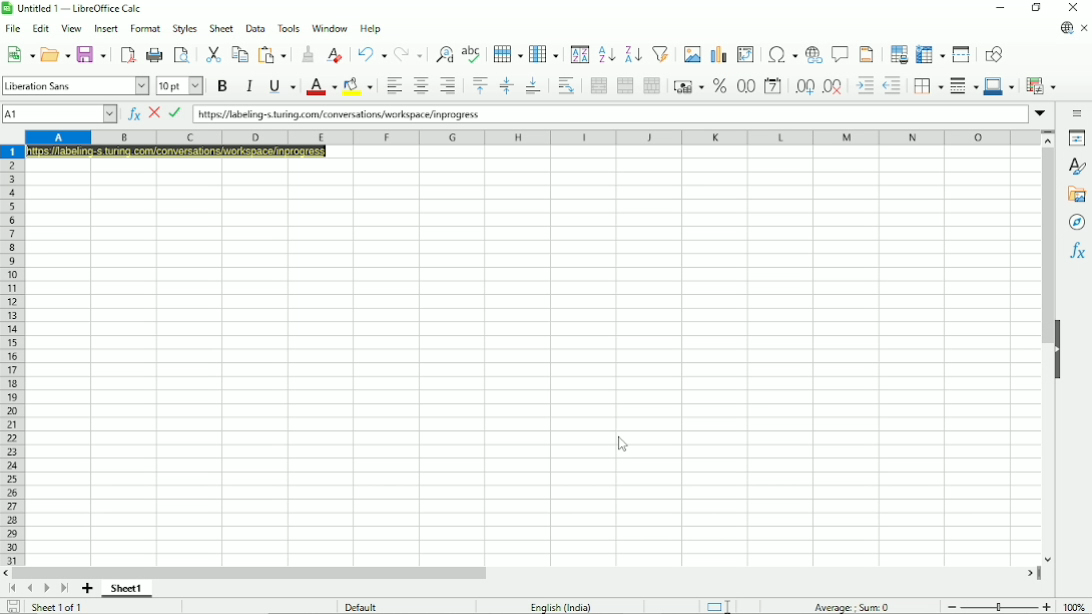 The width and height of the screenshot is (1092, 614). Describe the element at coordinates (718, 54) in the screenshot. I see `Insert chart` at that location.